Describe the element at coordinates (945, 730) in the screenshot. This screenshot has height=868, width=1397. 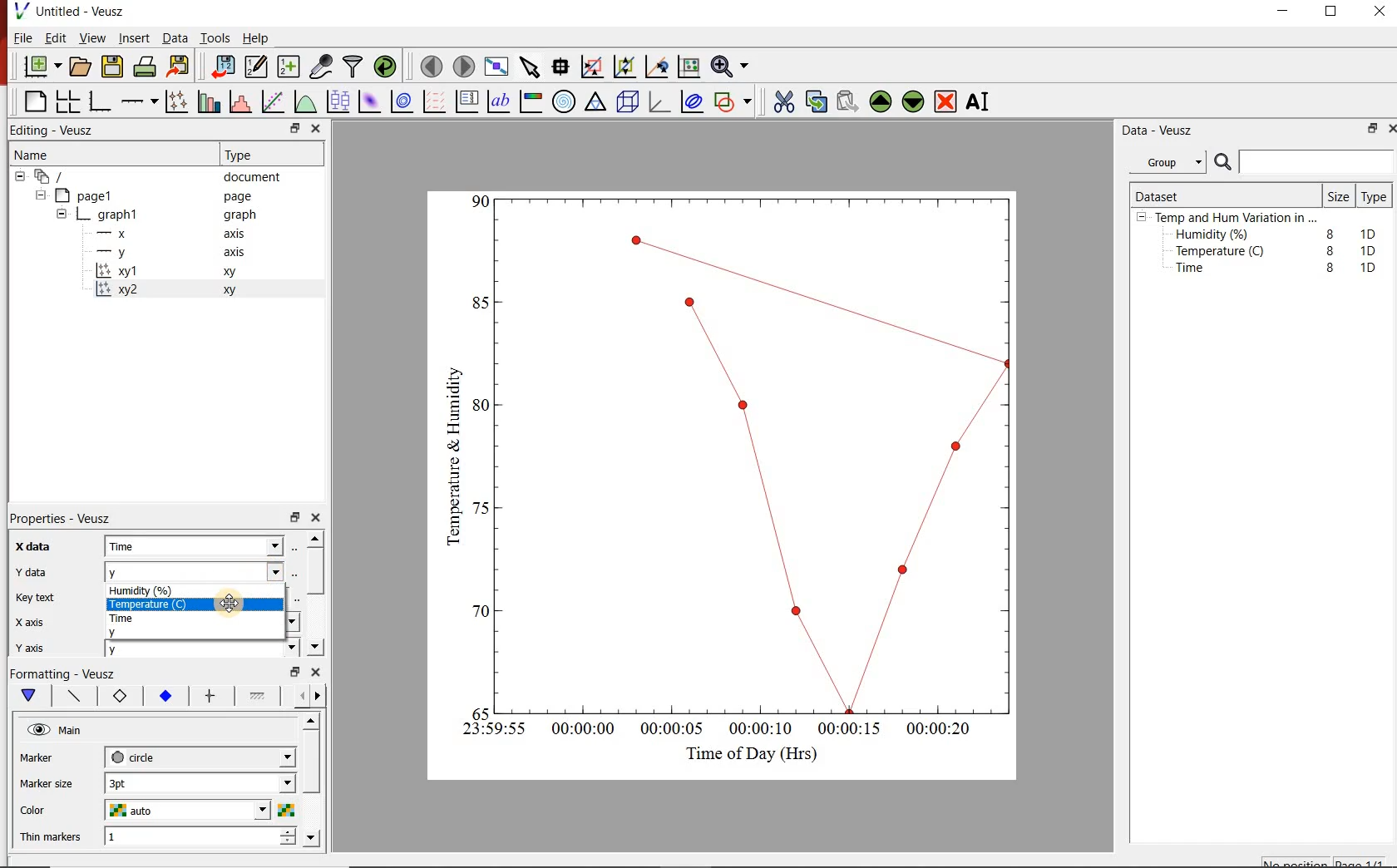
I see `00:00:20` at that location.